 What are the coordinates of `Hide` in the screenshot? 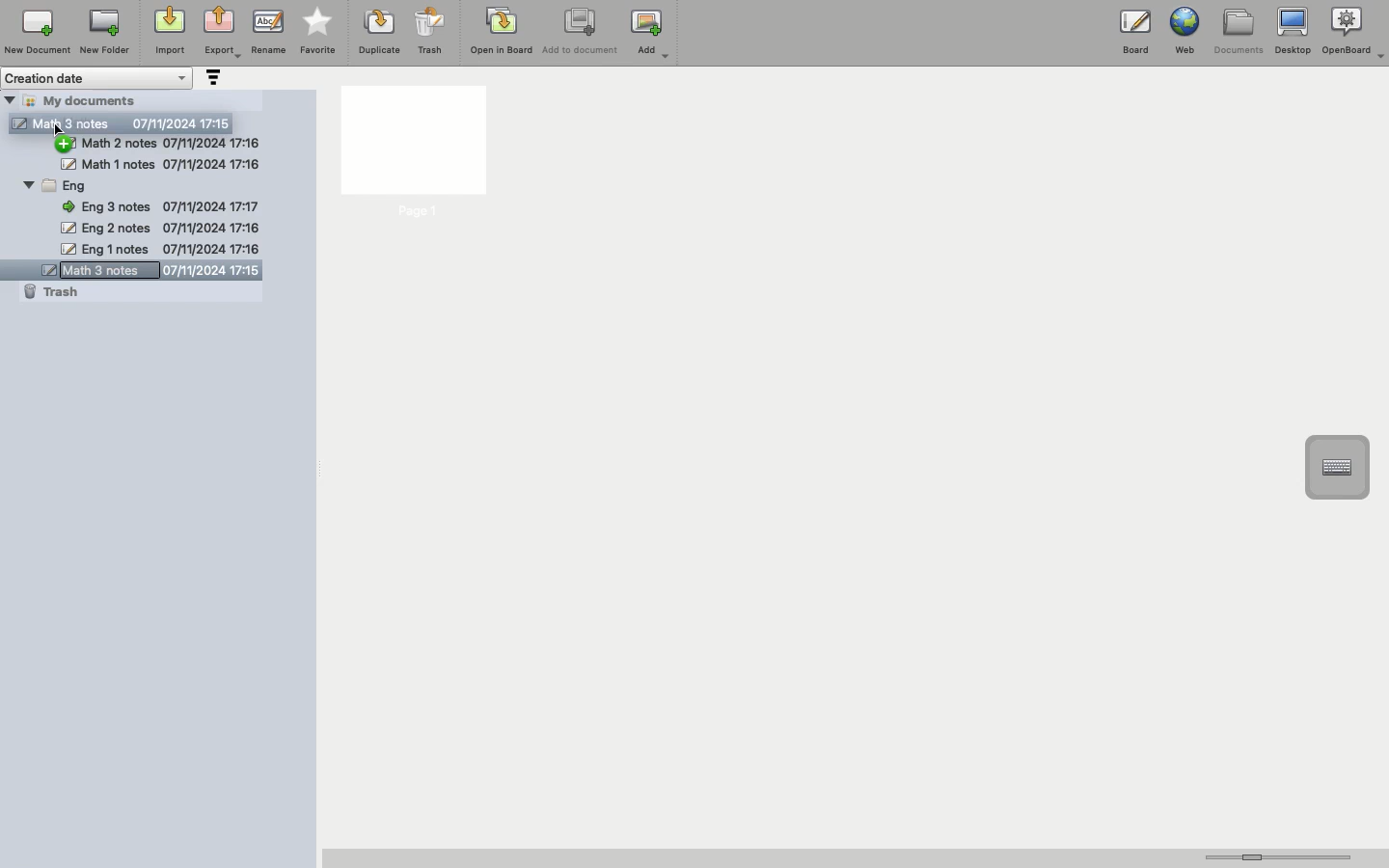 It's located at (29, 187).